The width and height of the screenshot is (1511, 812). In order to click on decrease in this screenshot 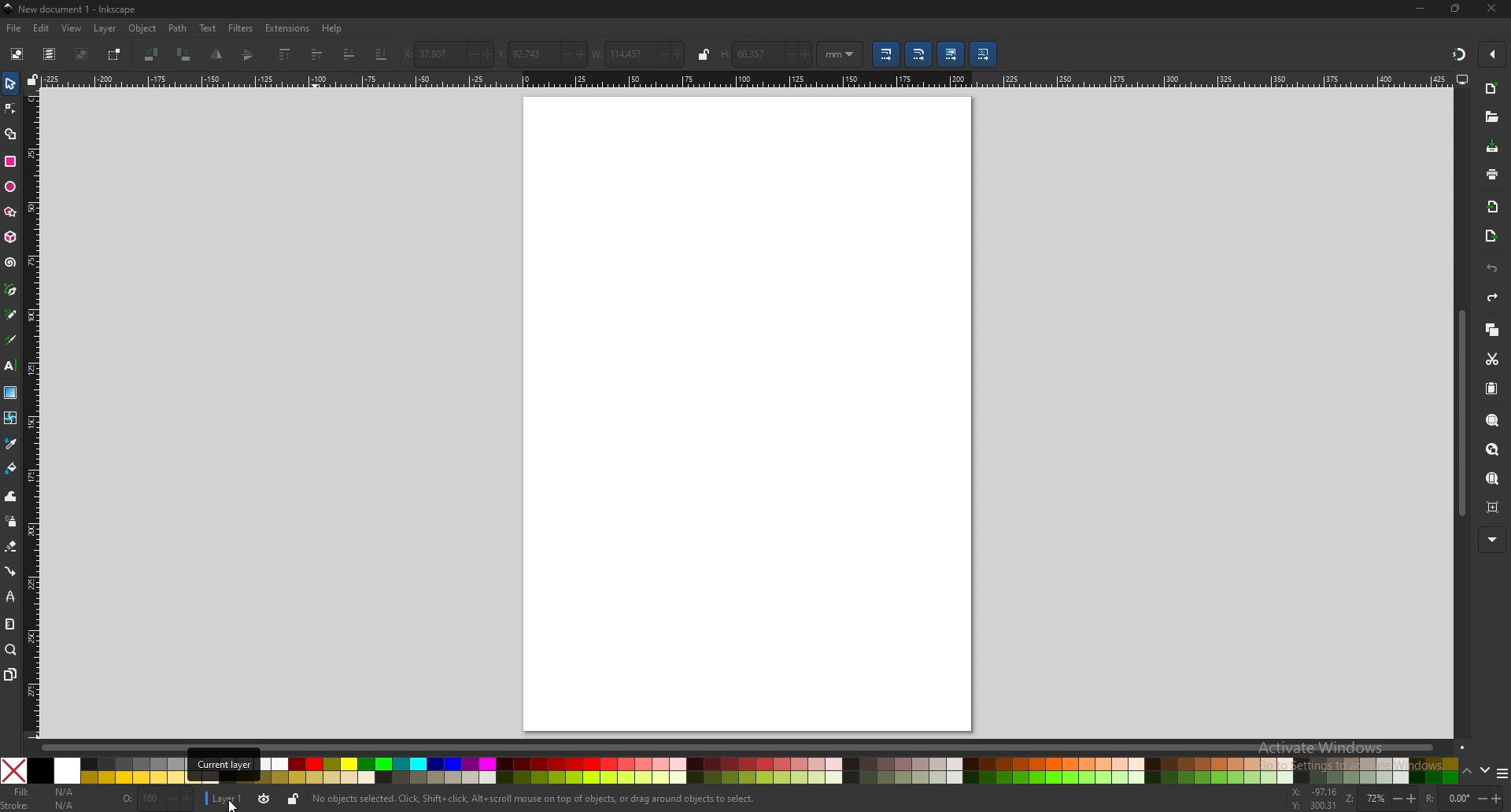, I will do `click(660, 54)`.